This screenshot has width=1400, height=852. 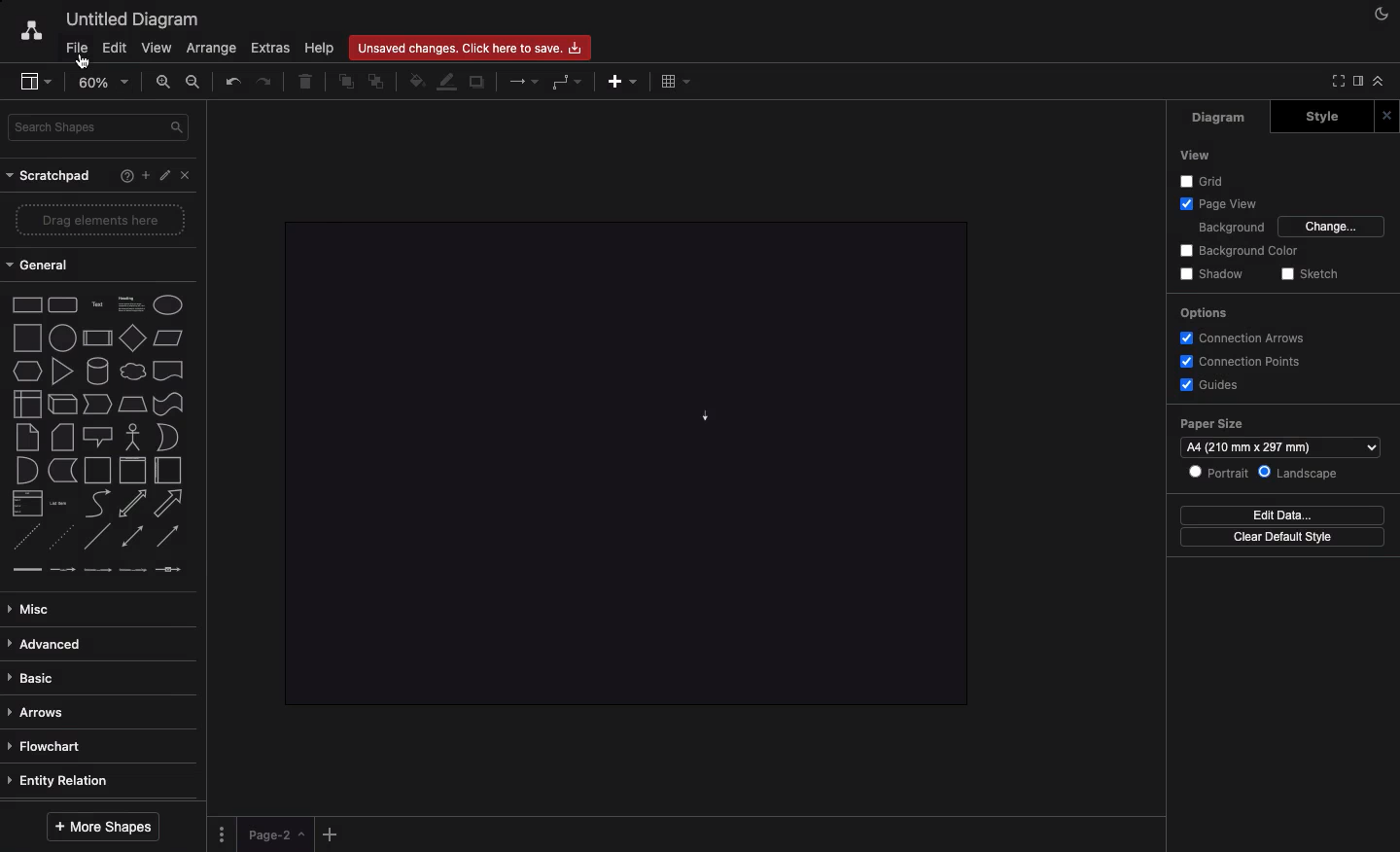 What do you see at coordinates (43, 712) in the screenshot?
I see `Arrows` at bounding box center [43, 712].